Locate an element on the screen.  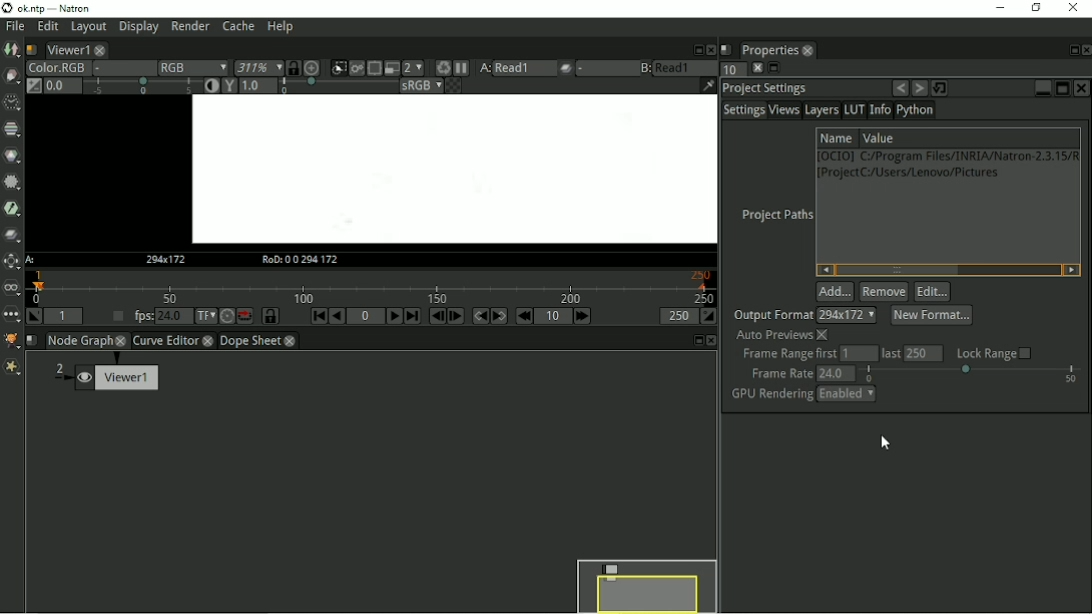
Set playback in point is located at coordinates (35, 316).